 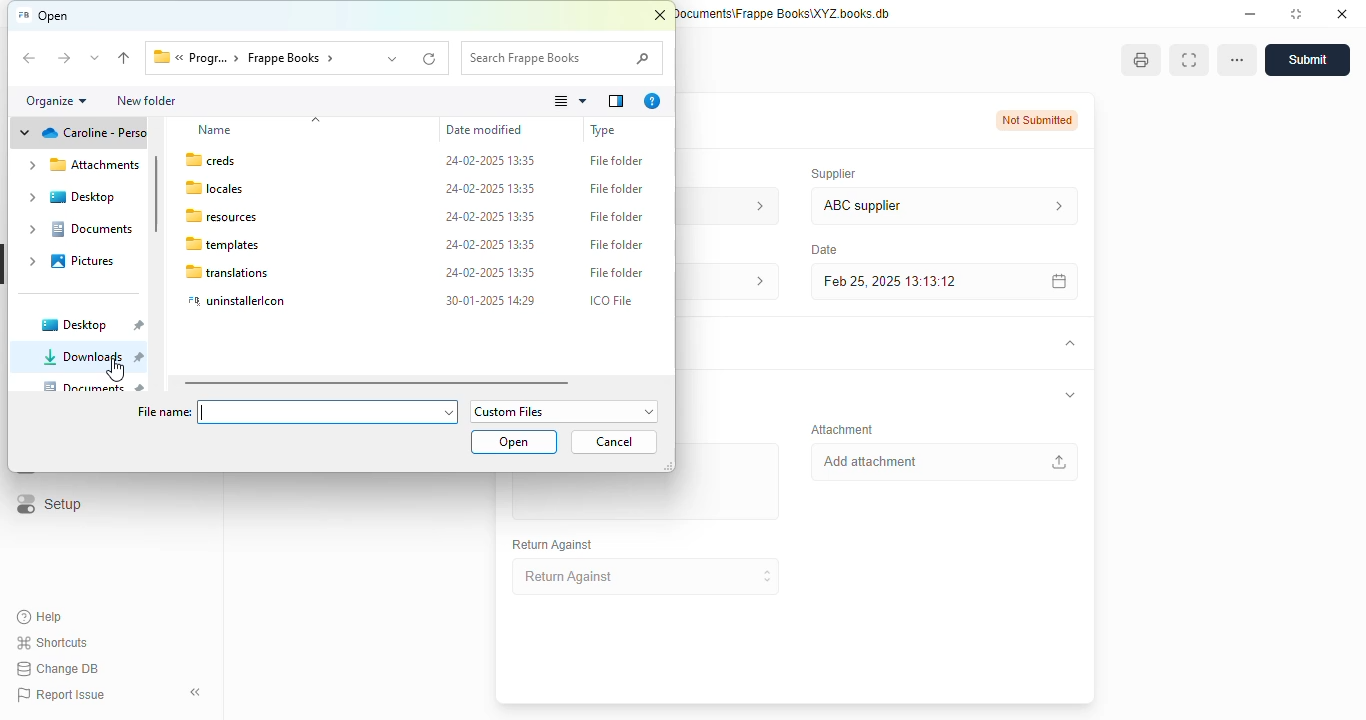 What do you see at coordinates (198, 692) in the screenshot?
I see `toggle sidebar` at bounding box center [198, 692].